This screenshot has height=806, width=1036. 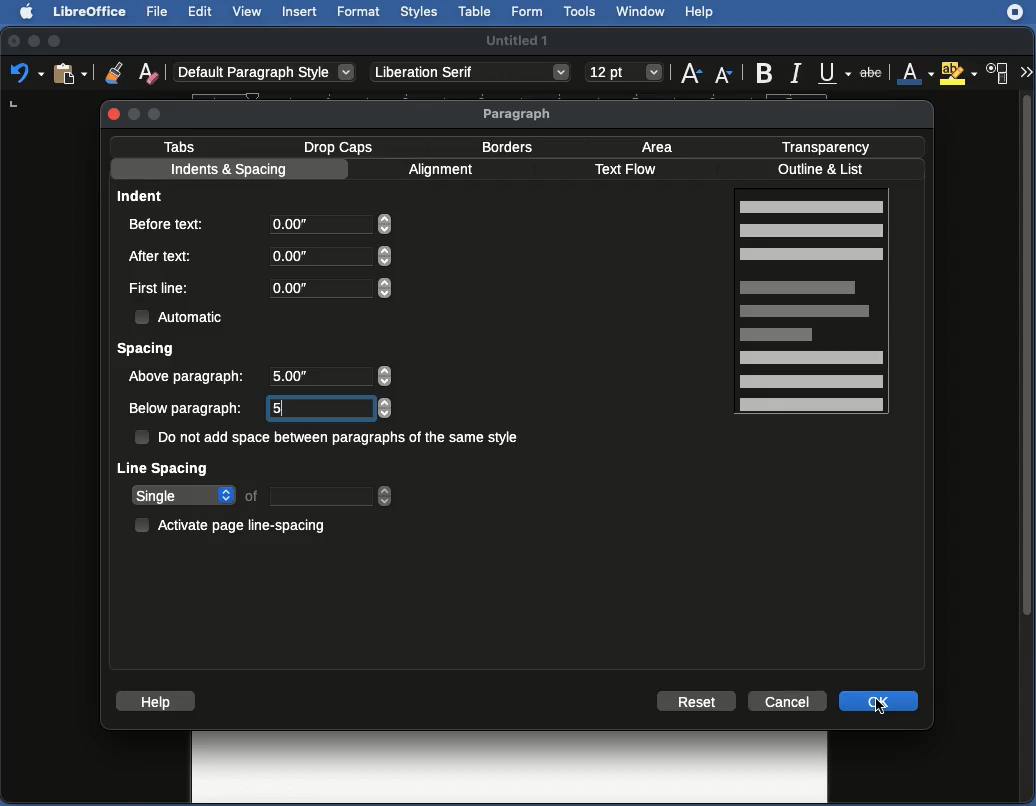 What do you see at coordinates (143, 195) in the screenshot?
I see `Indent` at bounding box center [143, 195].